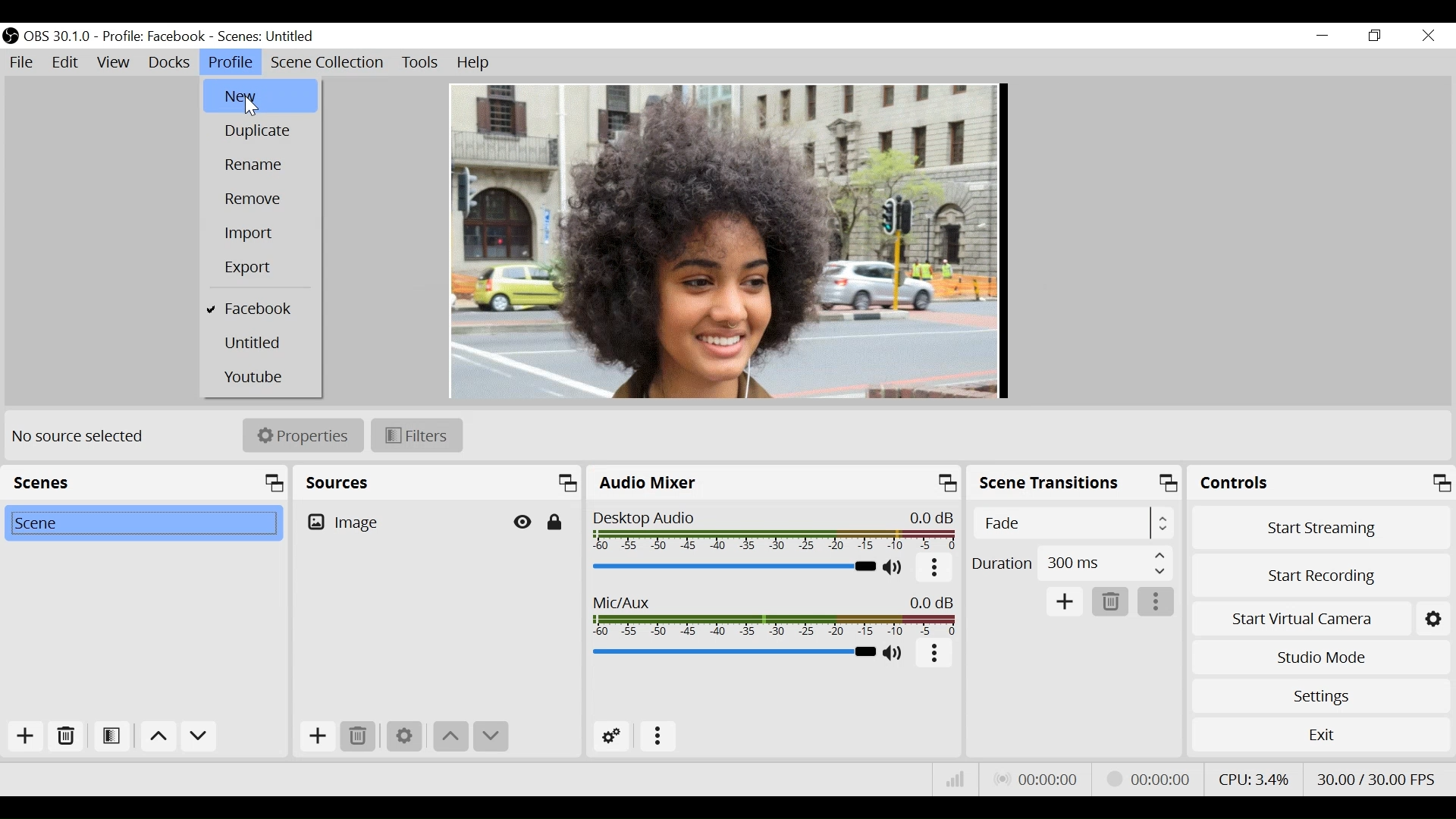  I want to click on Duplicate, so click(261, 133).